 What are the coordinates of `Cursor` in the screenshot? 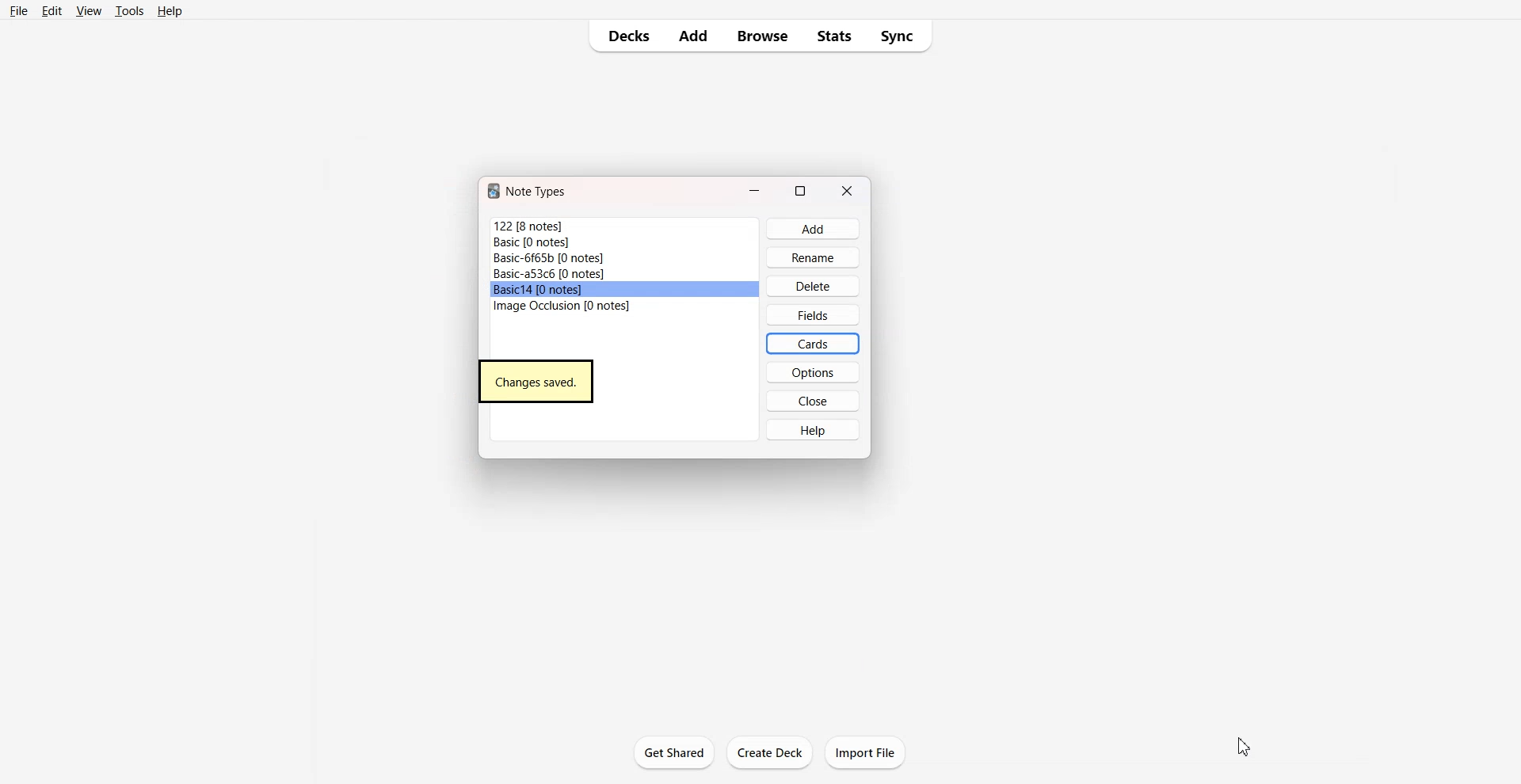 It's located at (1244, 746).